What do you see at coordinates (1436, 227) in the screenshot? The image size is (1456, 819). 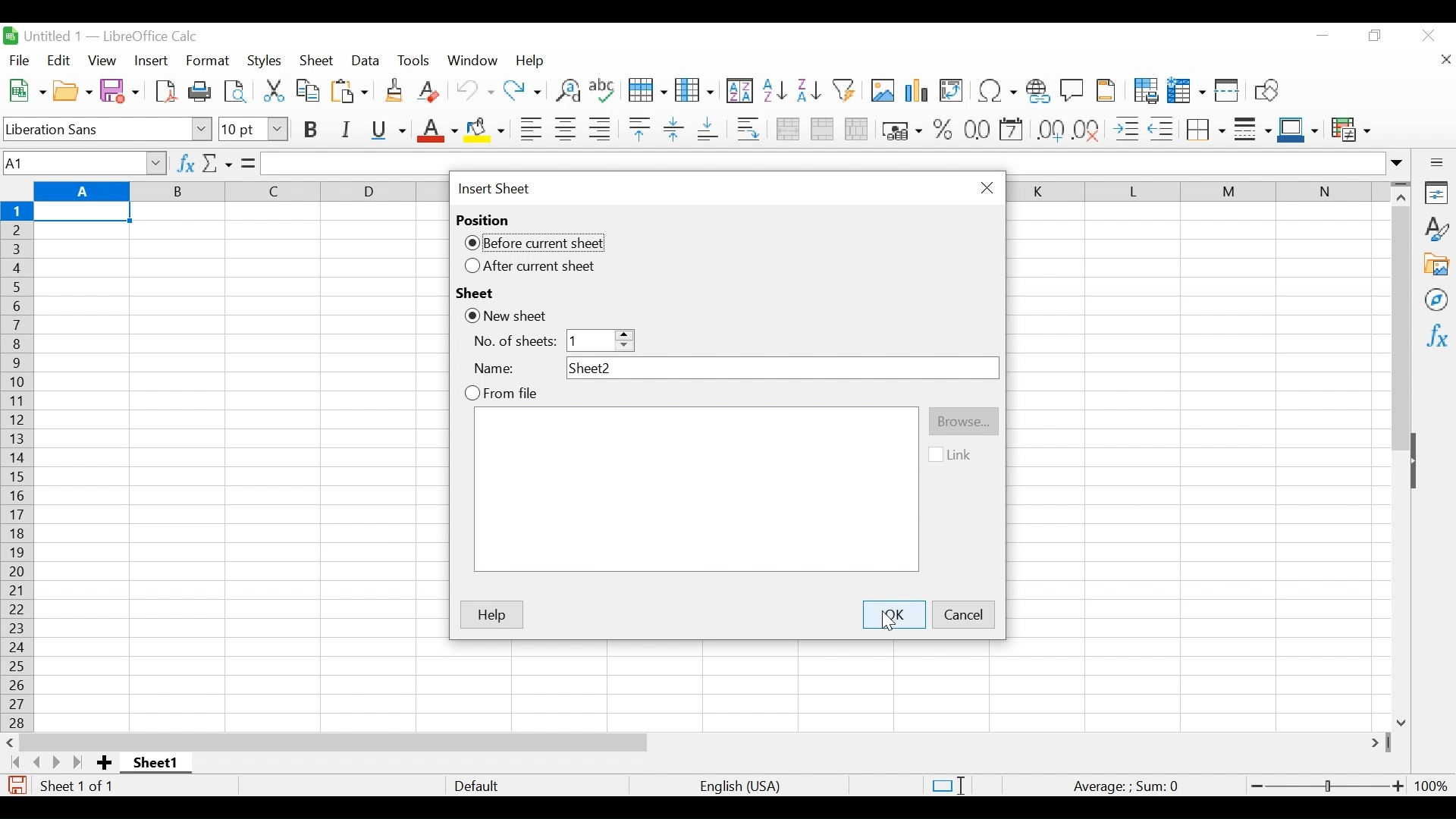 I see `Styles` at bounding box center [1436, 227].